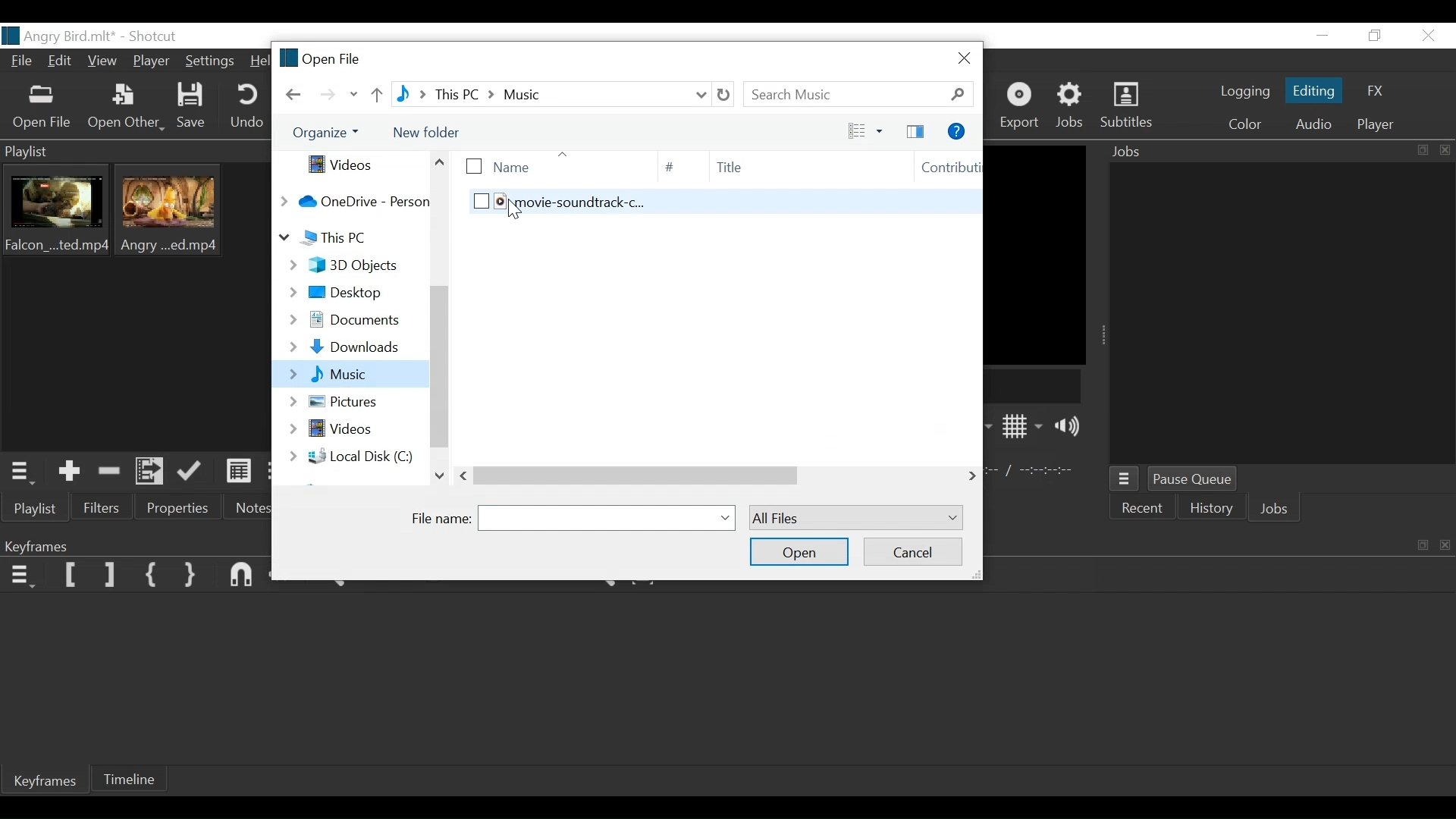 The width and height of the screenshot is (1456, 819). Describe the element at coordinates (1144, 510) in the screenshot. I see `Recent` at that location.